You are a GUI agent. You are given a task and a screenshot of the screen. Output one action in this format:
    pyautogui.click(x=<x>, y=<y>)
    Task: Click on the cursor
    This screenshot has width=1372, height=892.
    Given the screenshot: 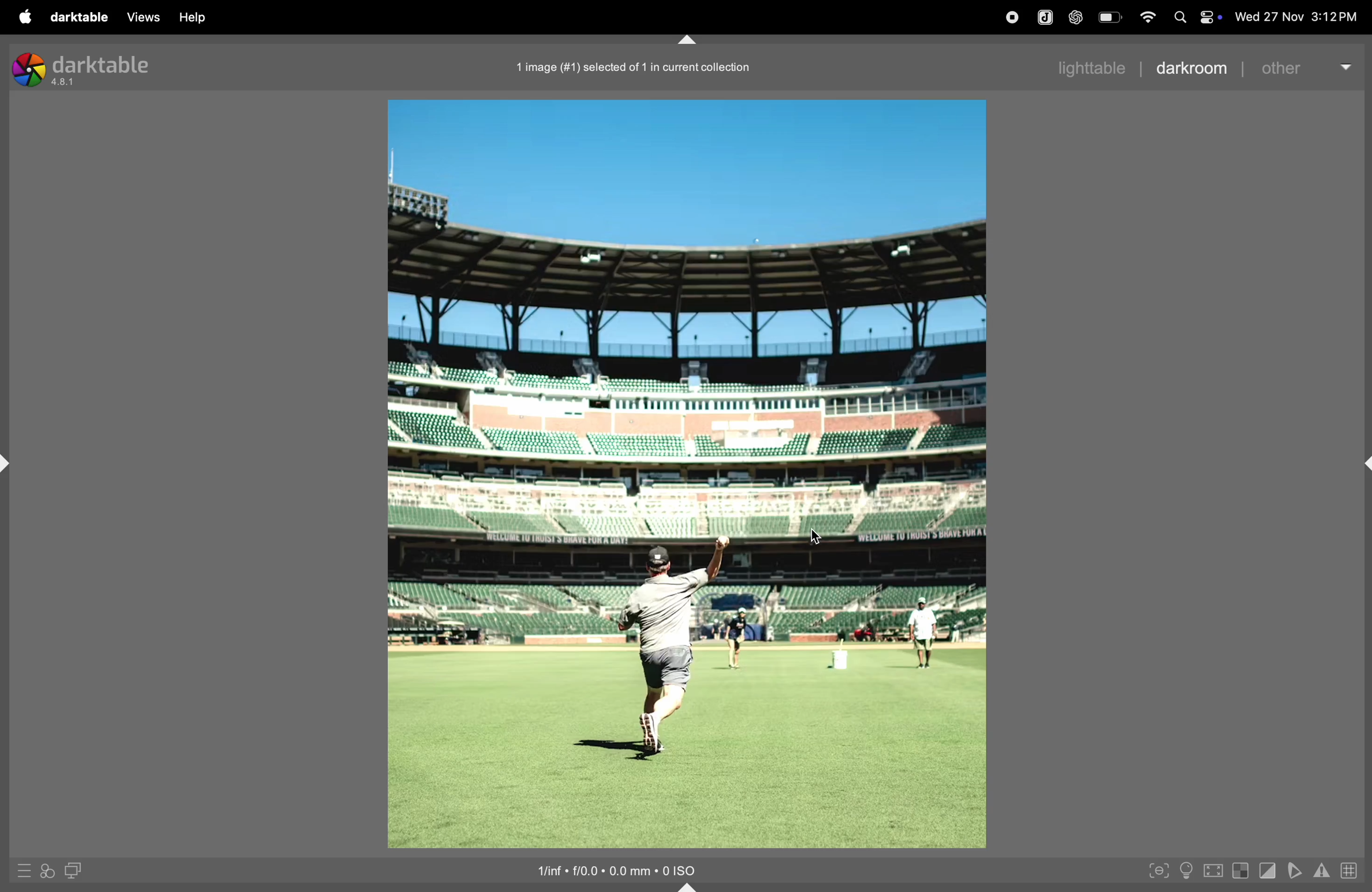 What is the action you would take?
    pyautogui.click(x=812, y=534)
    